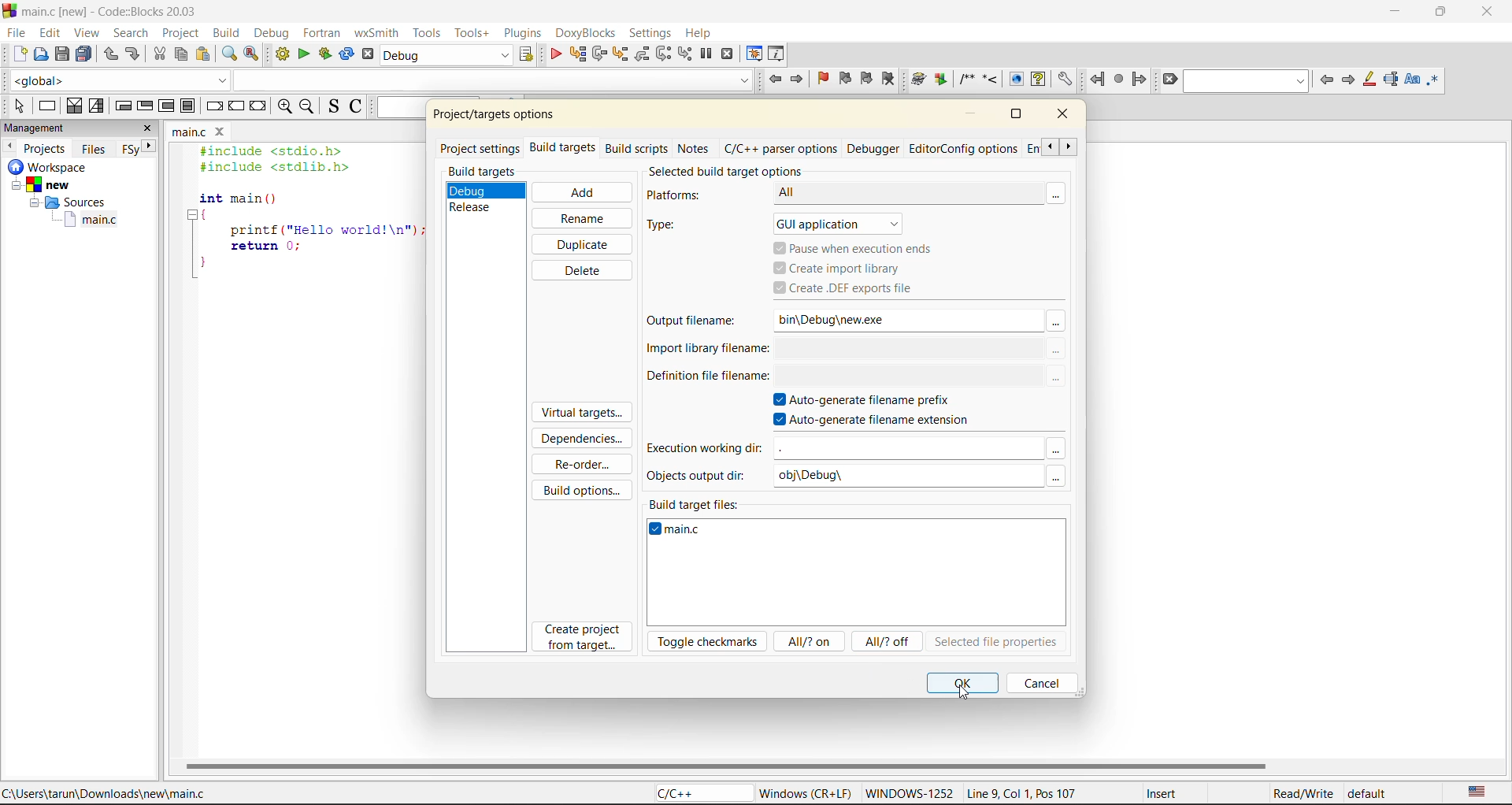  I want to click on project settings, so click(480, 149).